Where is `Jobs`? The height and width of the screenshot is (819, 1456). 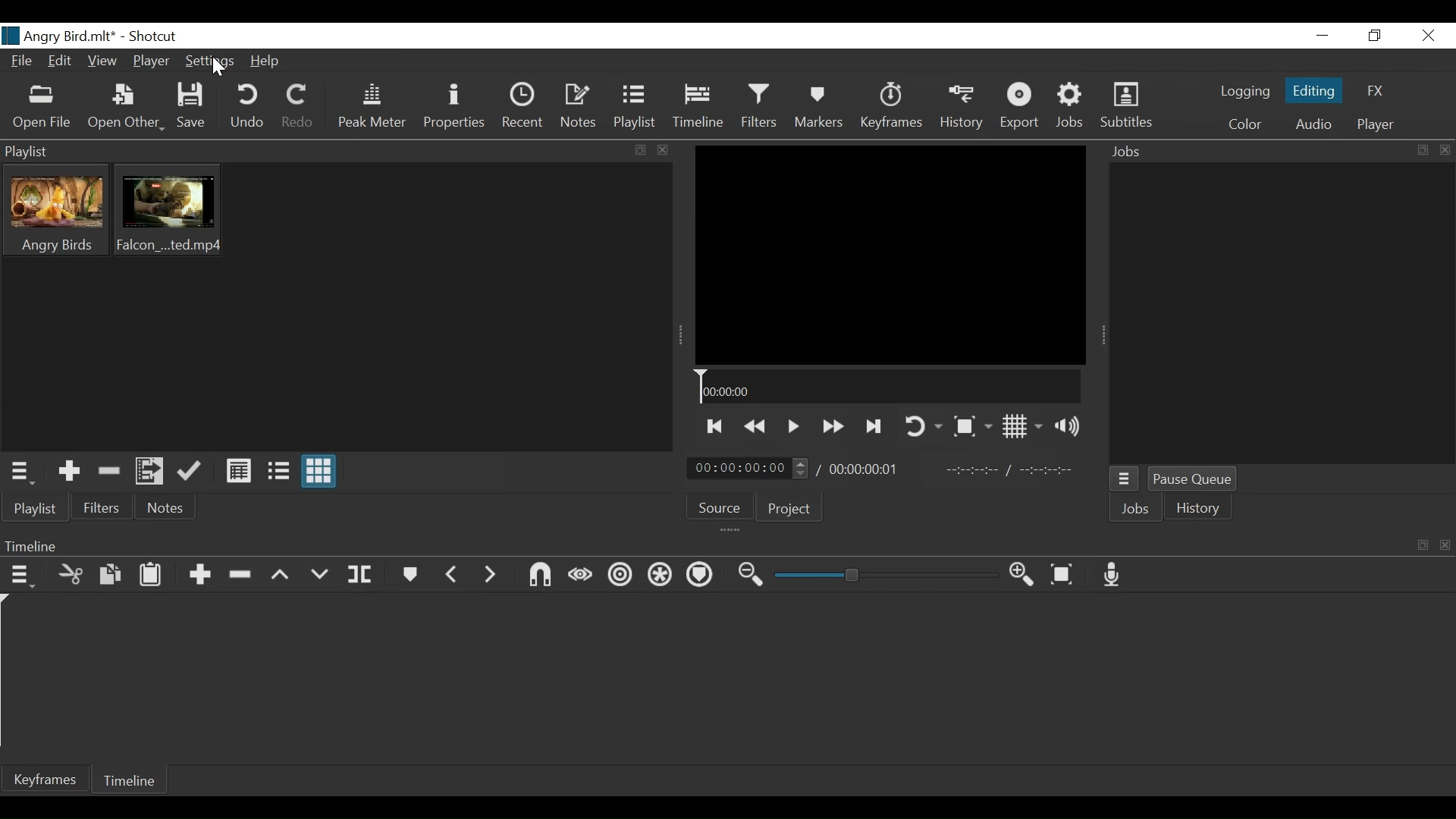
Jobs is located at coordinates (1072, 106).